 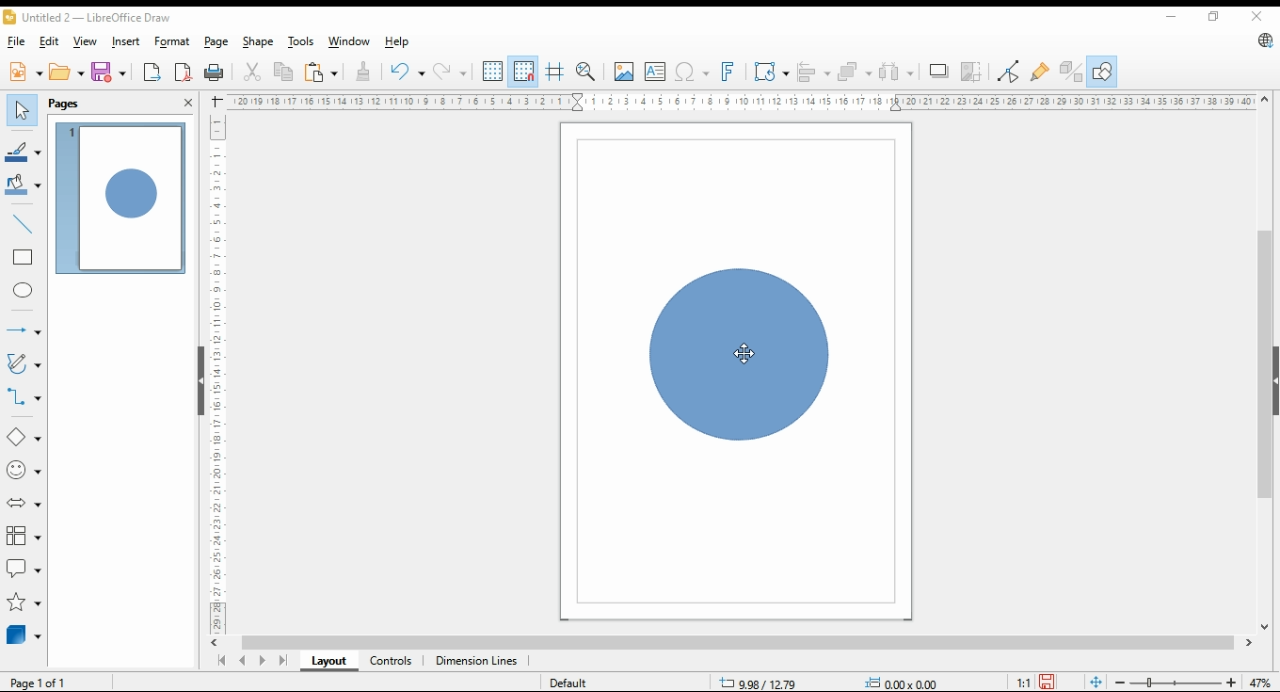 I want to click on insert special characters, so click(x=694, y=72).